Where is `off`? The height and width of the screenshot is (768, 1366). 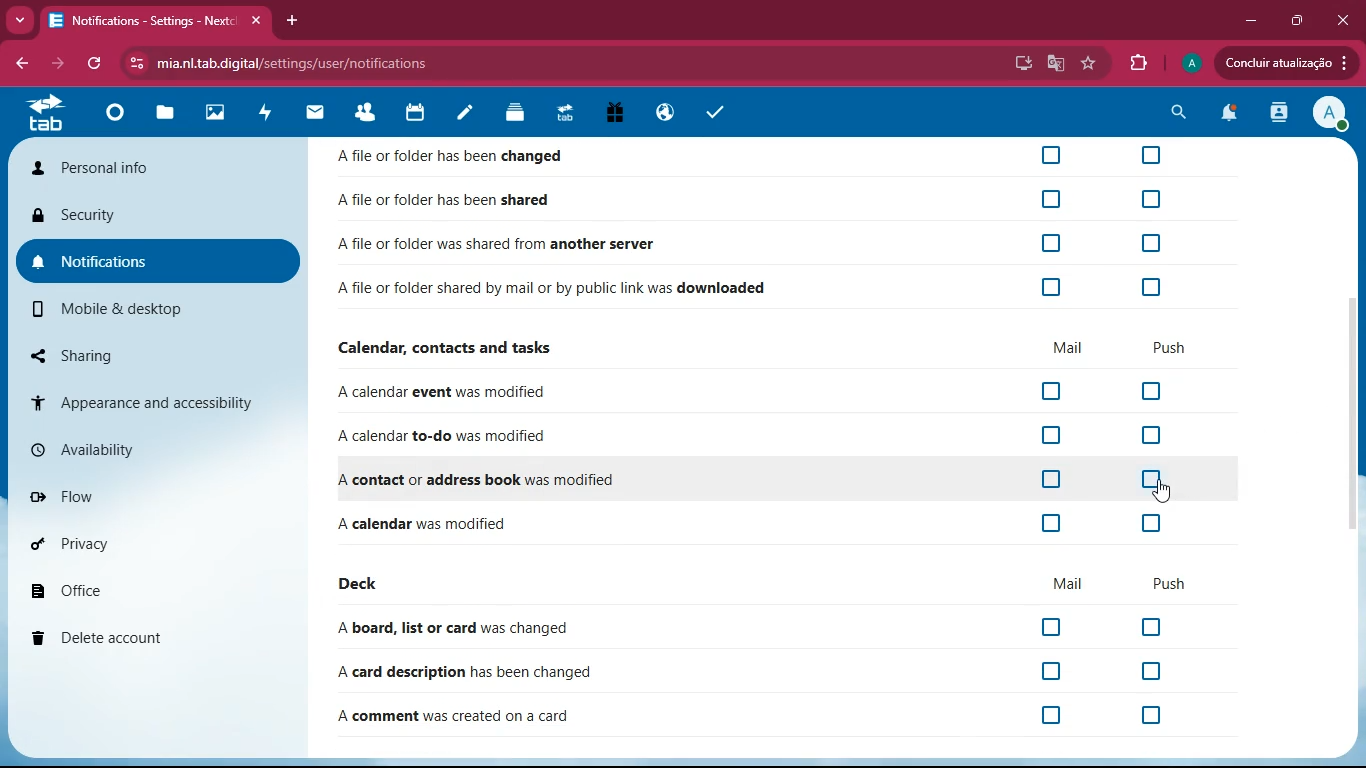 off is located at coordinates (1155, 717).